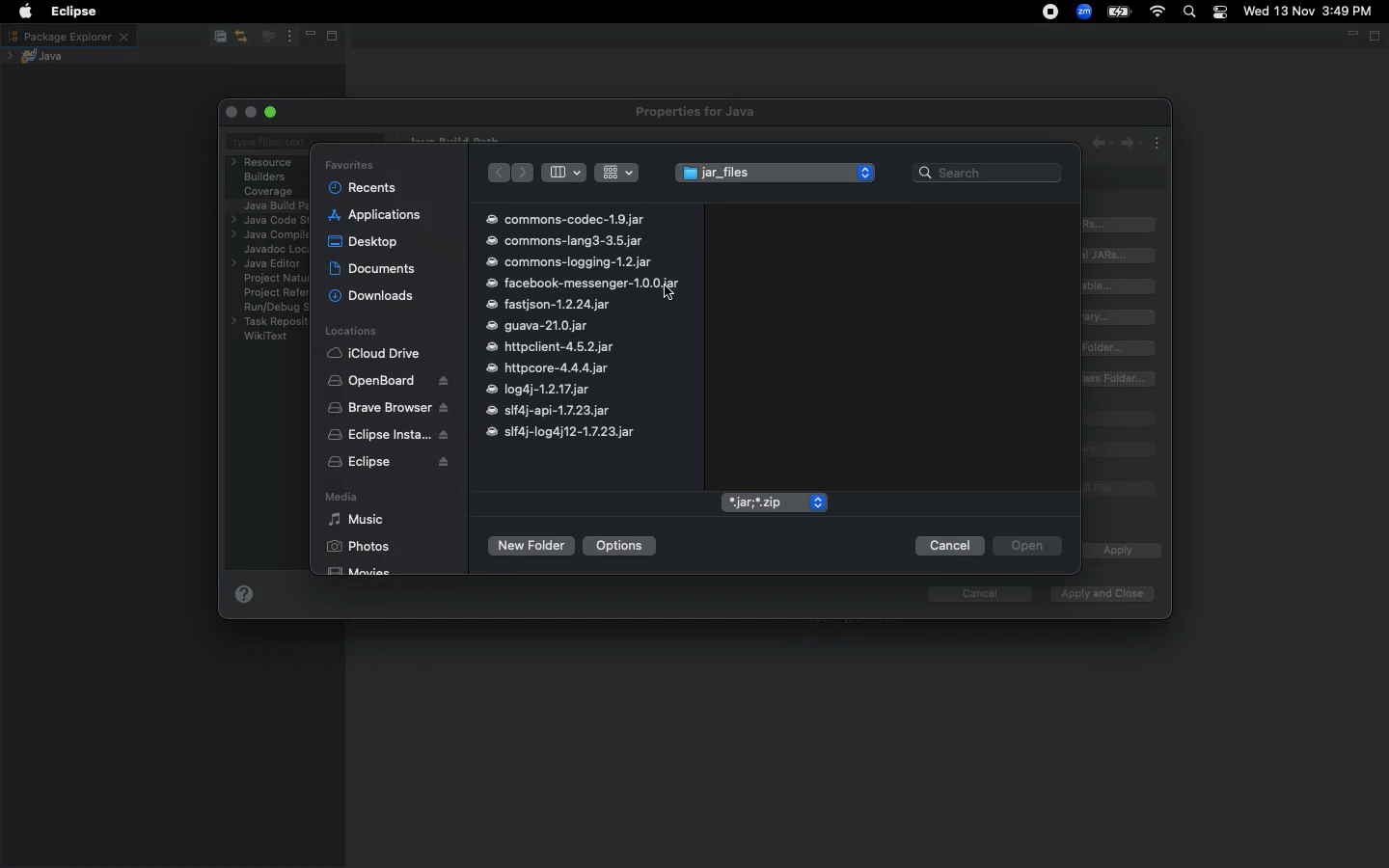 The height and width of the screenshot is (868, 1389). I want to click on Maximize, so click(1376, 37).